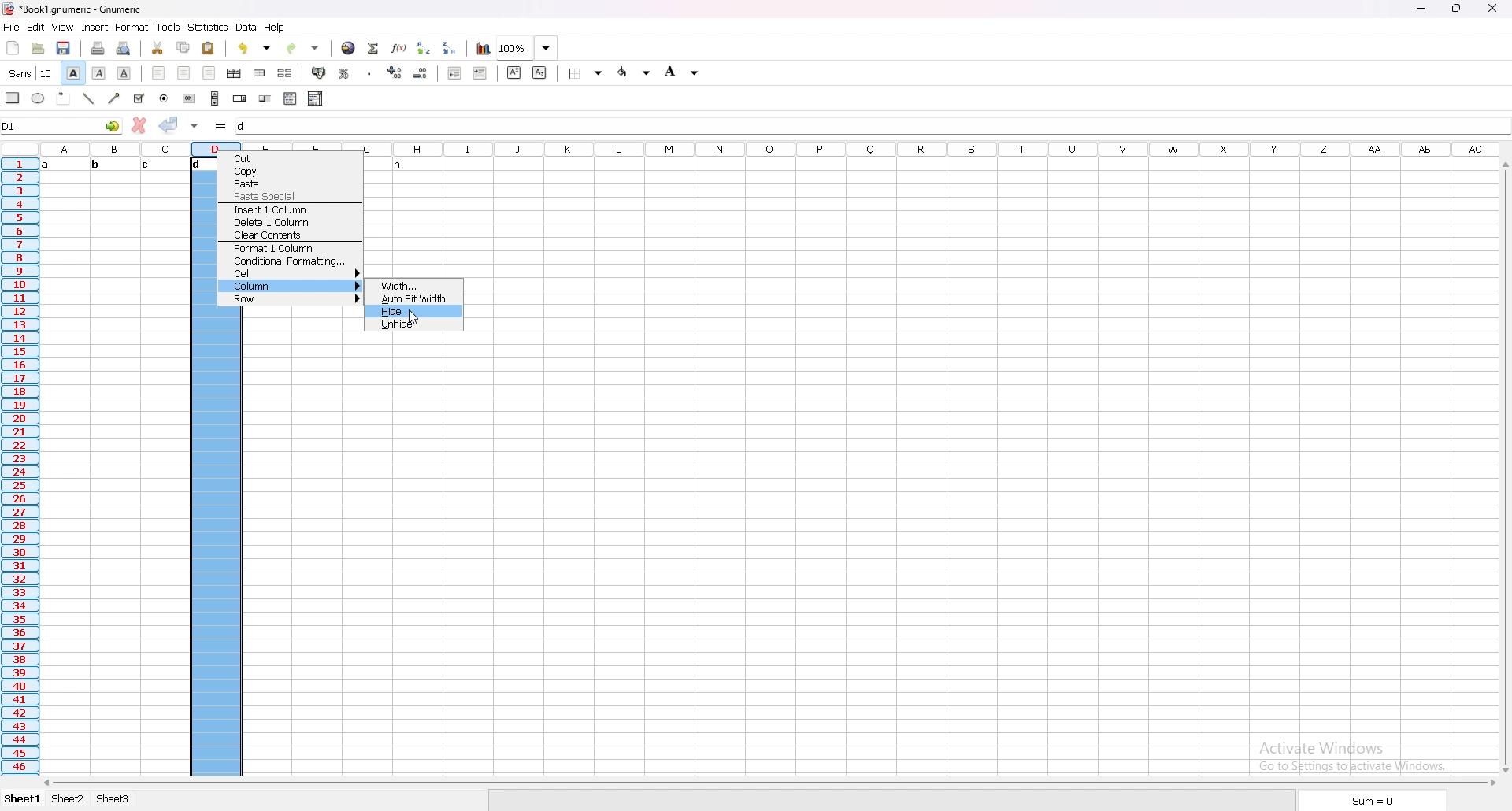 This screenshot has height=811, width=1512. What do you see at coordinates (169, 27) in the screenshot?
I see `tools` at bounding box center [169, 27].